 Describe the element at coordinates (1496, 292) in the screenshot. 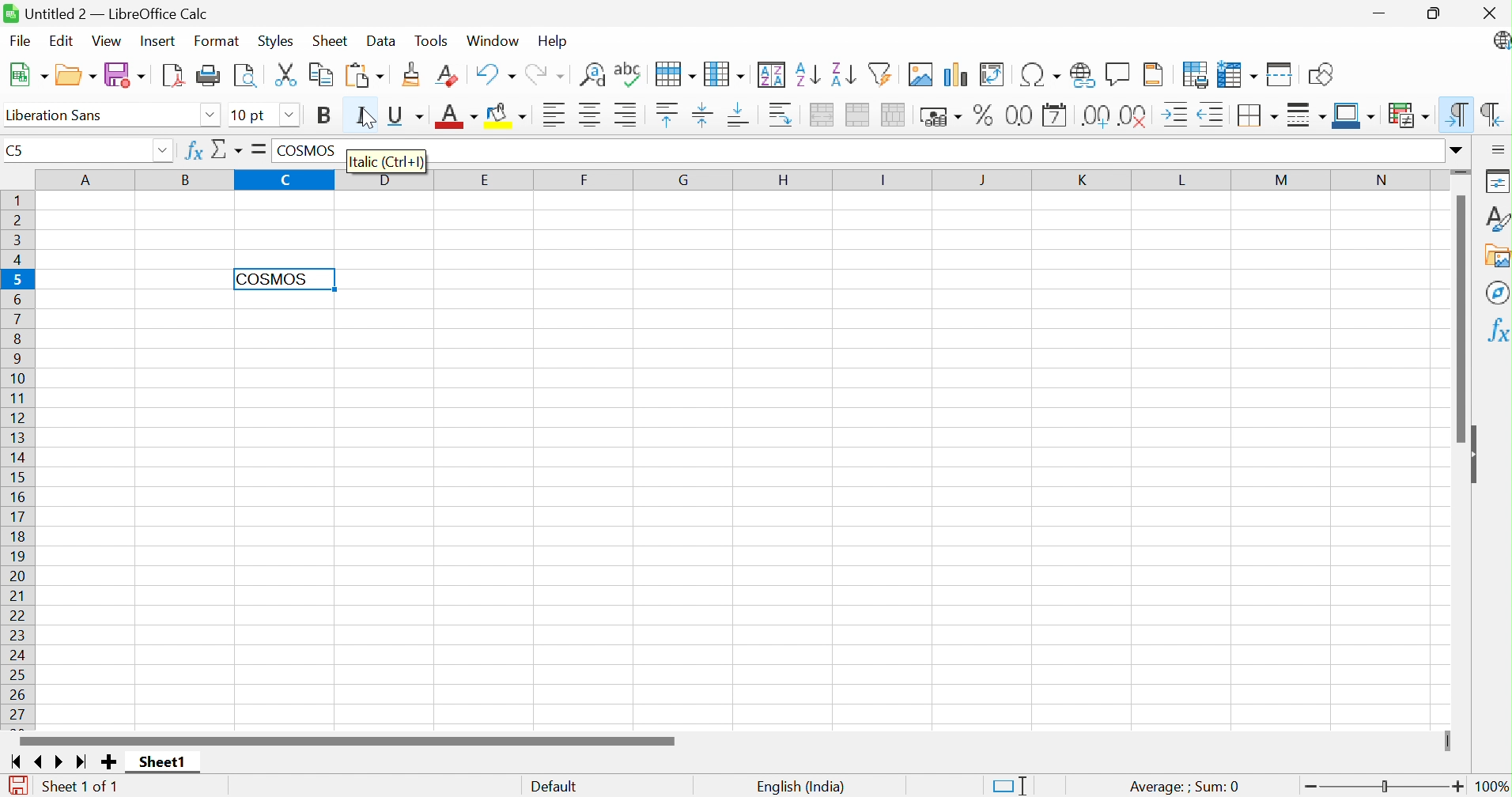

I see `Navigator` at that location.